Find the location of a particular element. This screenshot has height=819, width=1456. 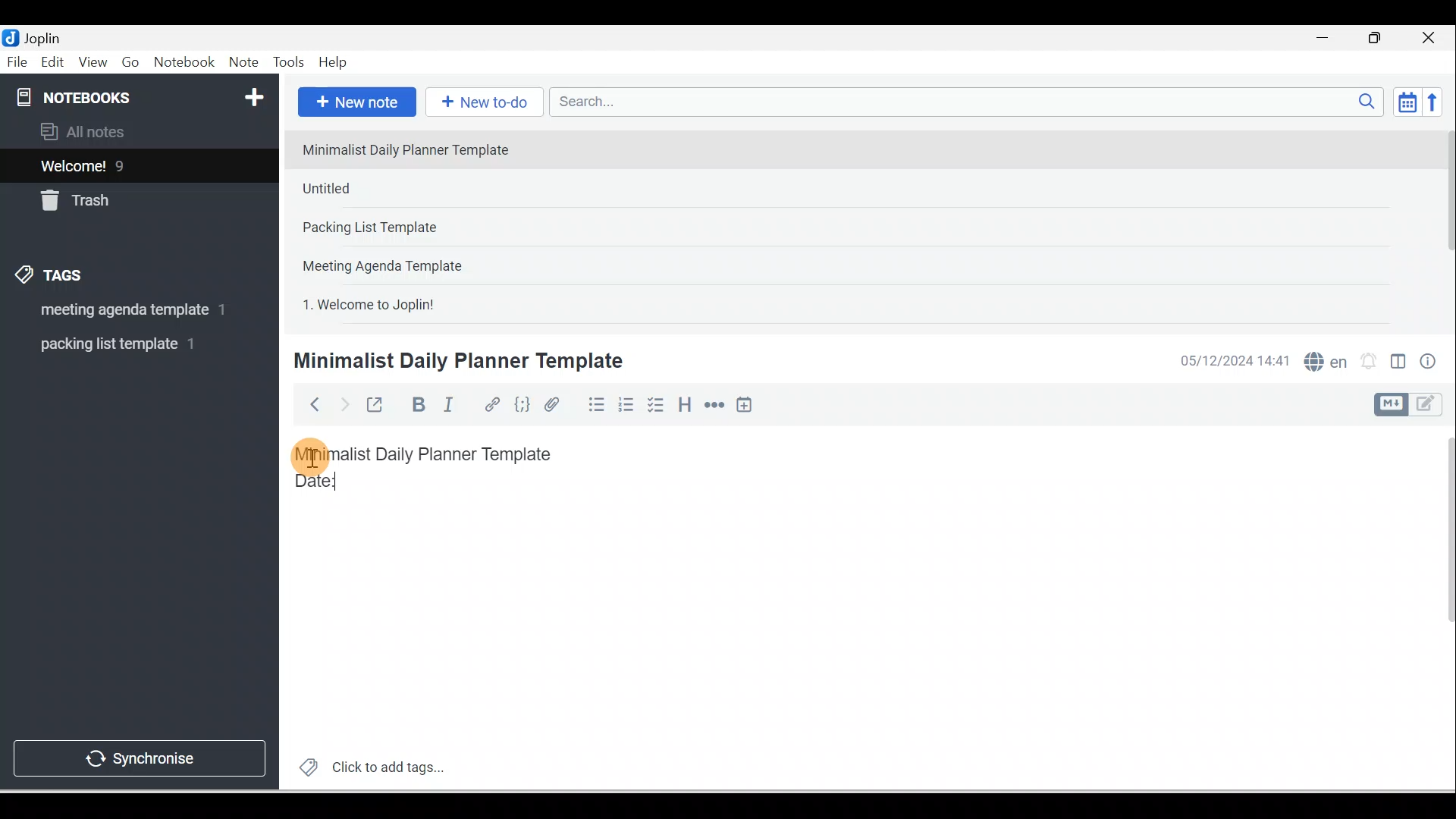

New note is located at coordinates (354, 103).